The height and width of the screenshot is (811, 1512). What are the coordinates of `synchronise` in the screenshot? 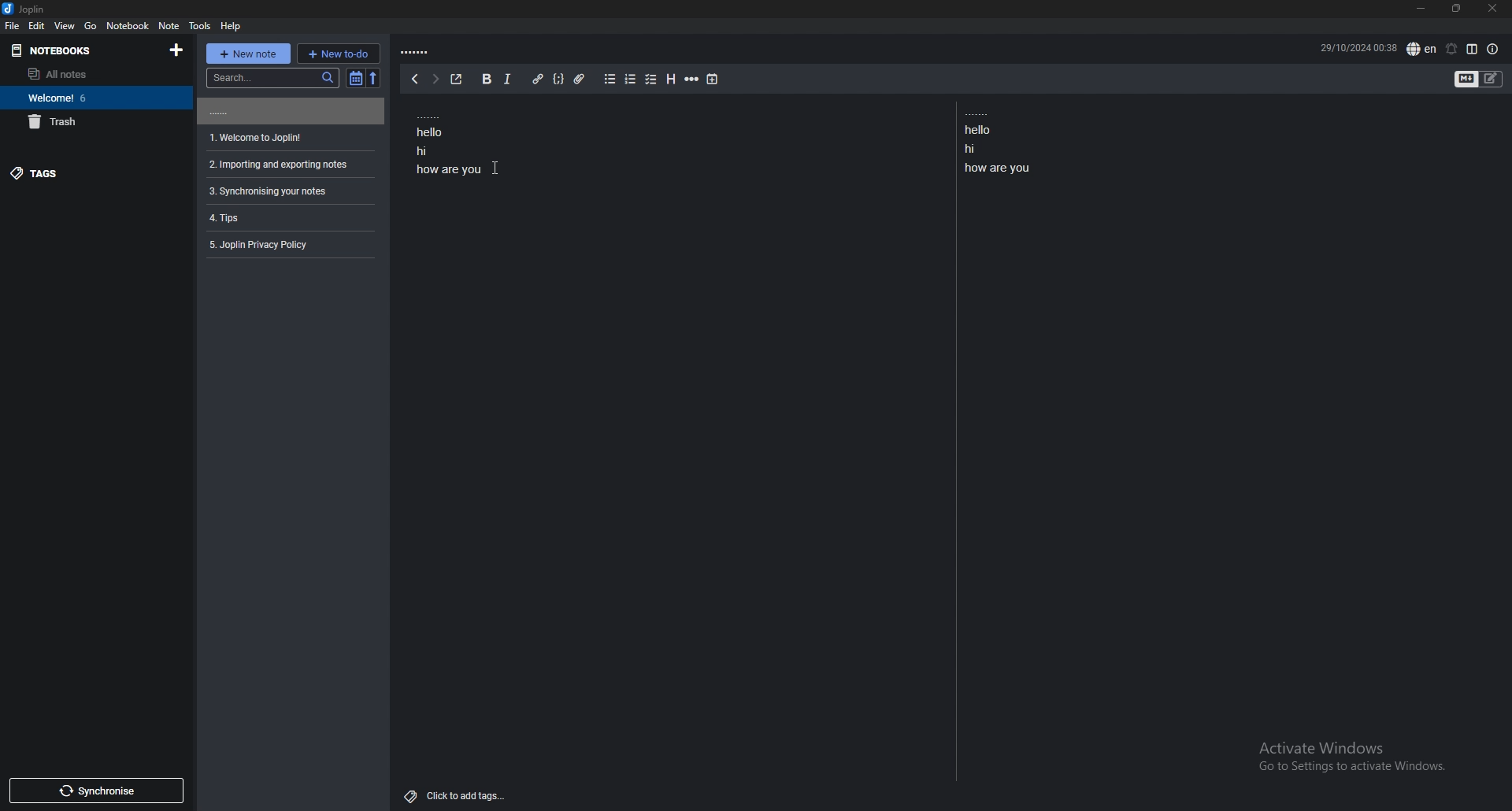 It's located at (97, 791).